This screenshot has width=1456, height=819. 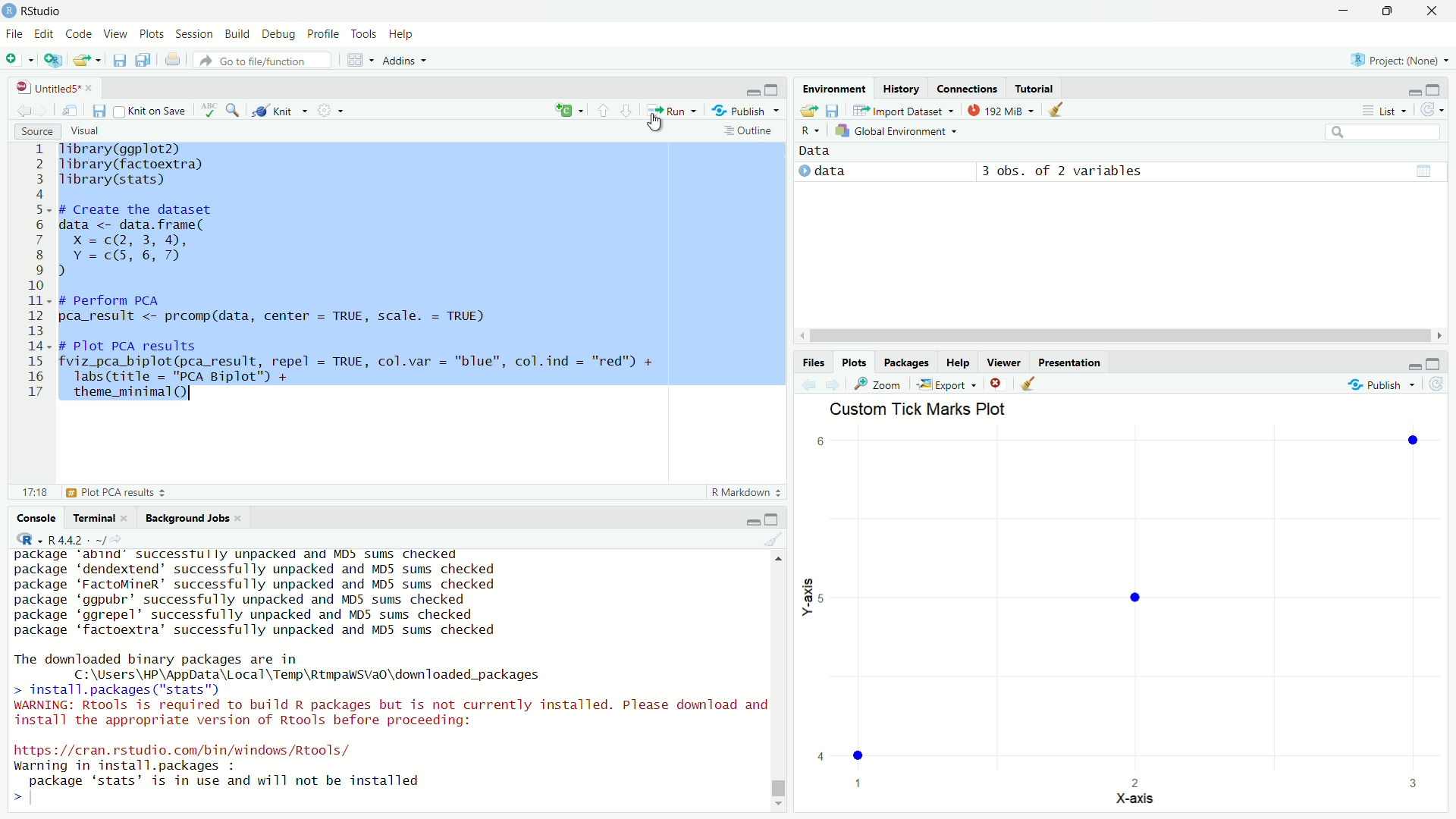 I want to click on show in new window, so click(x=71, y=111).